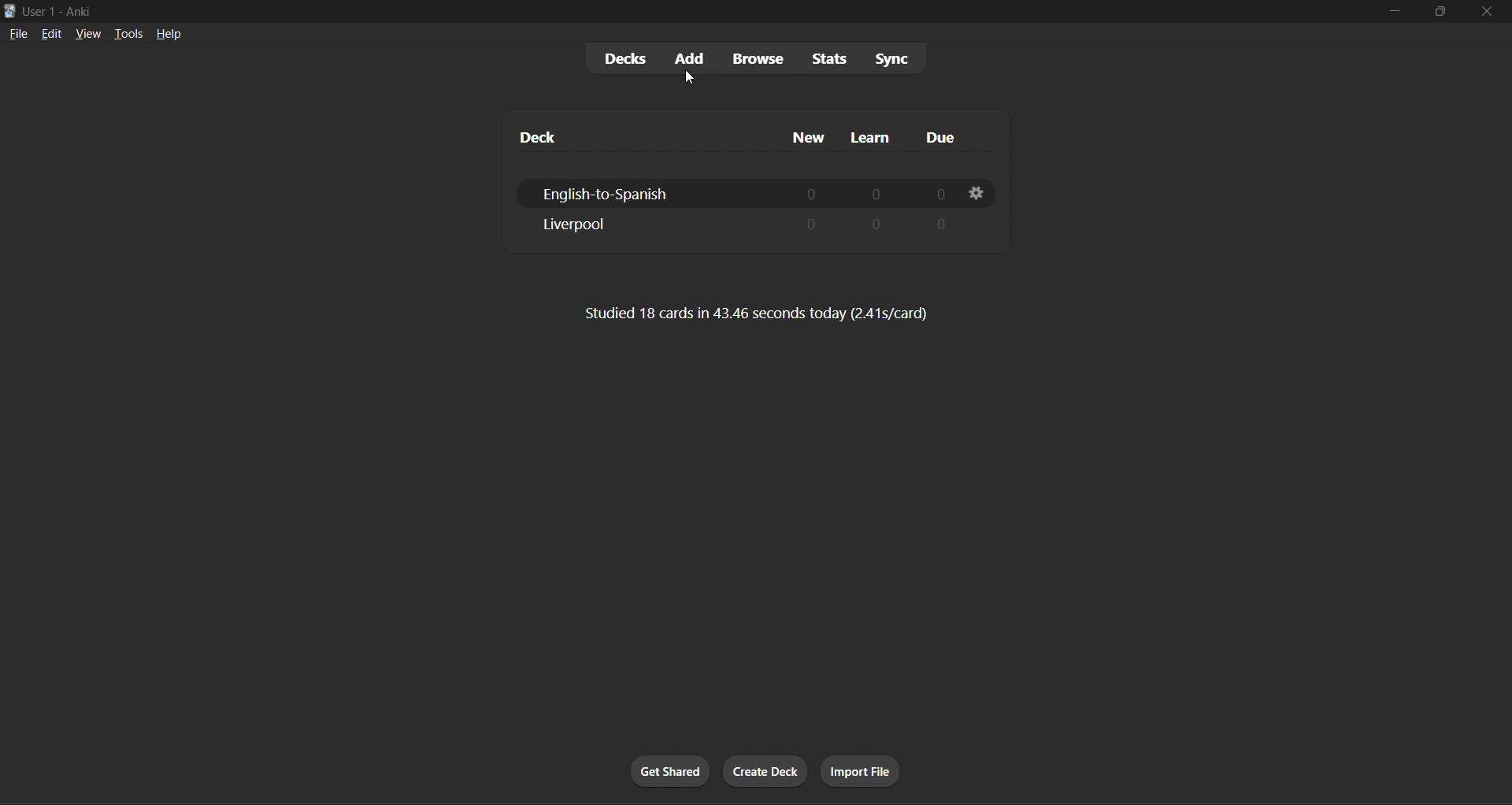 The width and height of the screenshot is (1512, 805). What do you see at coordinates (663, 9) in the screenshot?
I see `title bar` at bounding box center [663, 9].